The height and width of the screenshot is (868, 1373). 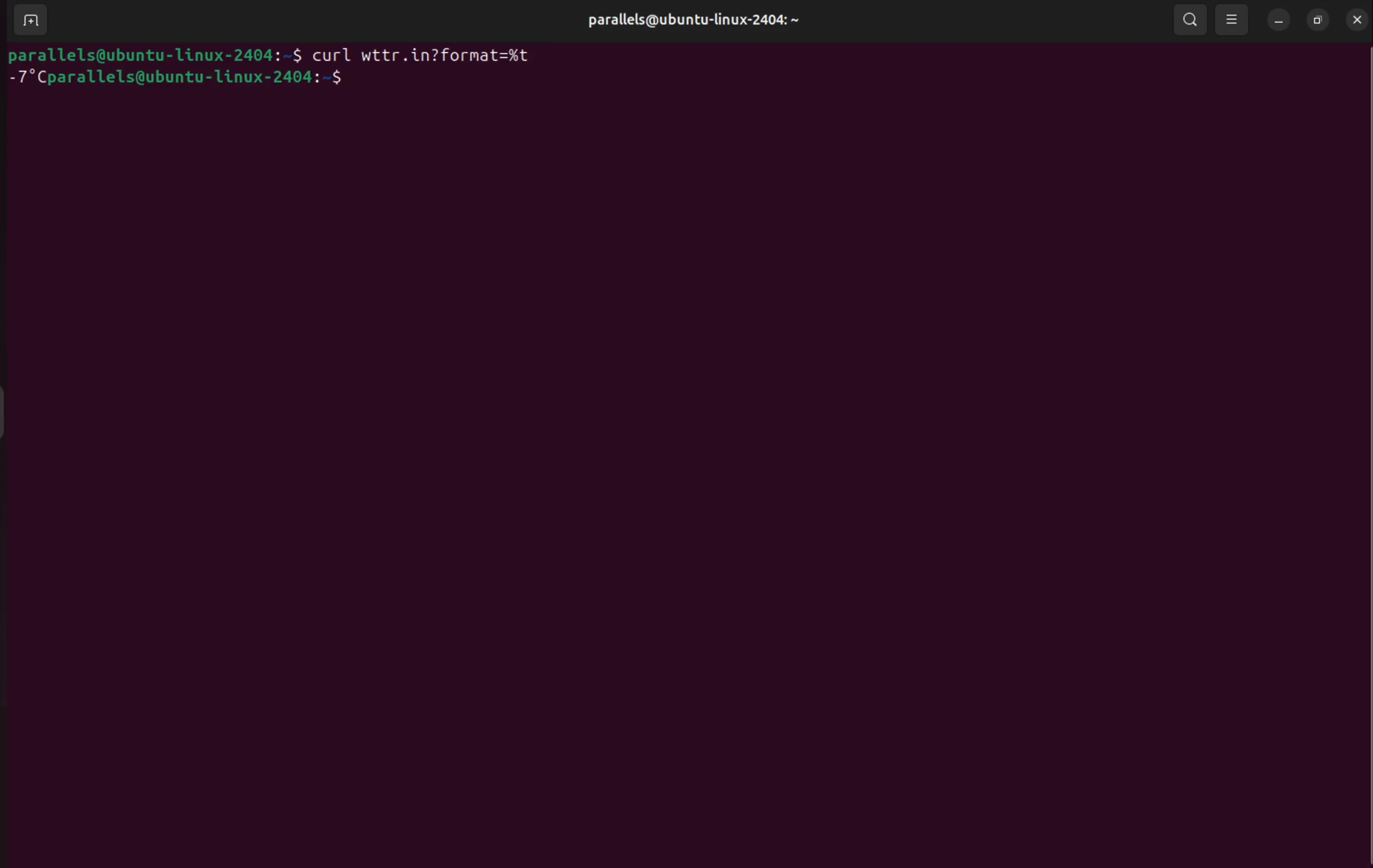 What do you see at coordinates (1317, 18) in the screenshot?
I see `resize` at bounding box center [1317, 18].